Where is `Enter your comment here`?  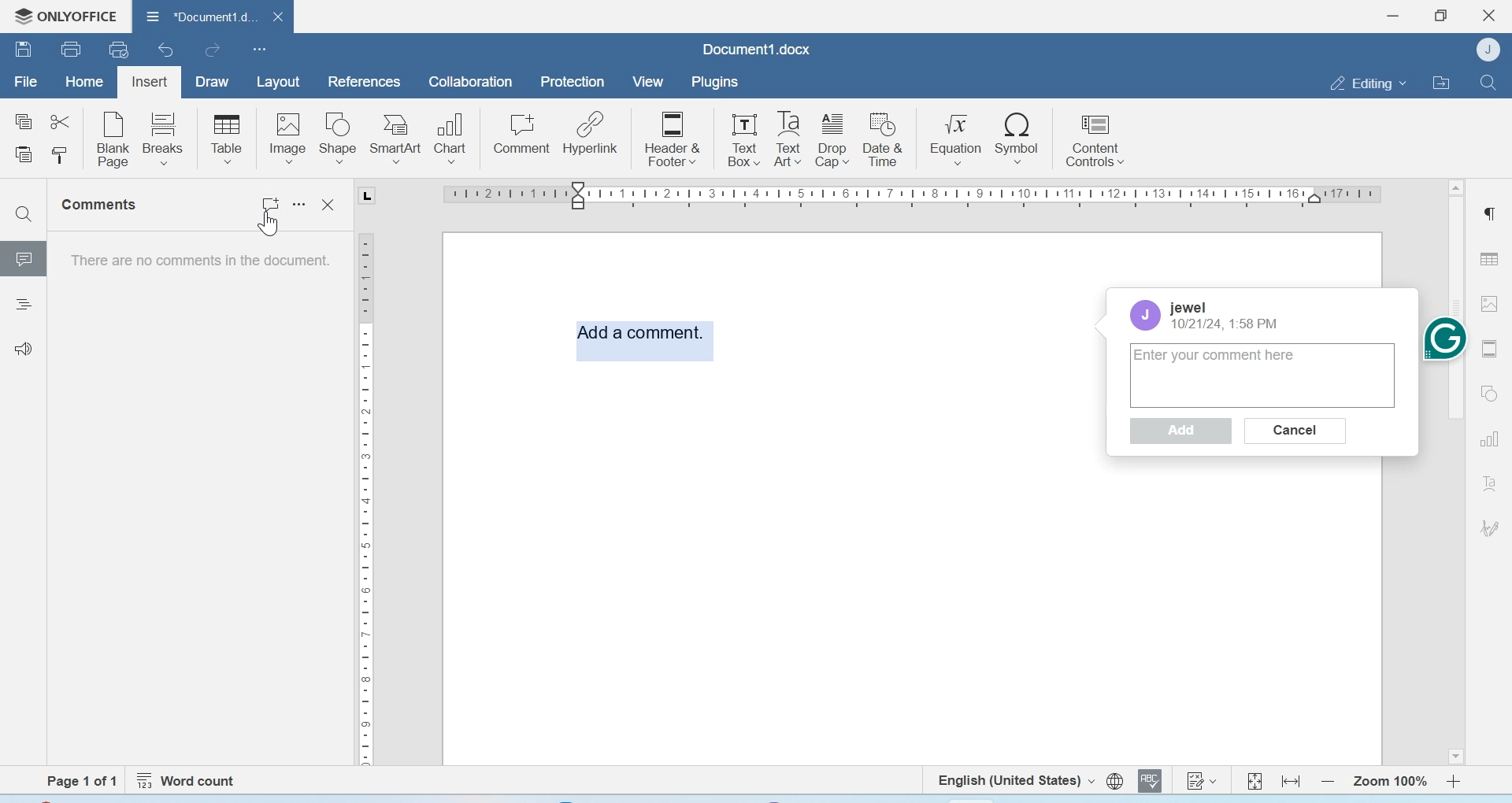 Enter your comment here is located at coordinates (1264, 376).